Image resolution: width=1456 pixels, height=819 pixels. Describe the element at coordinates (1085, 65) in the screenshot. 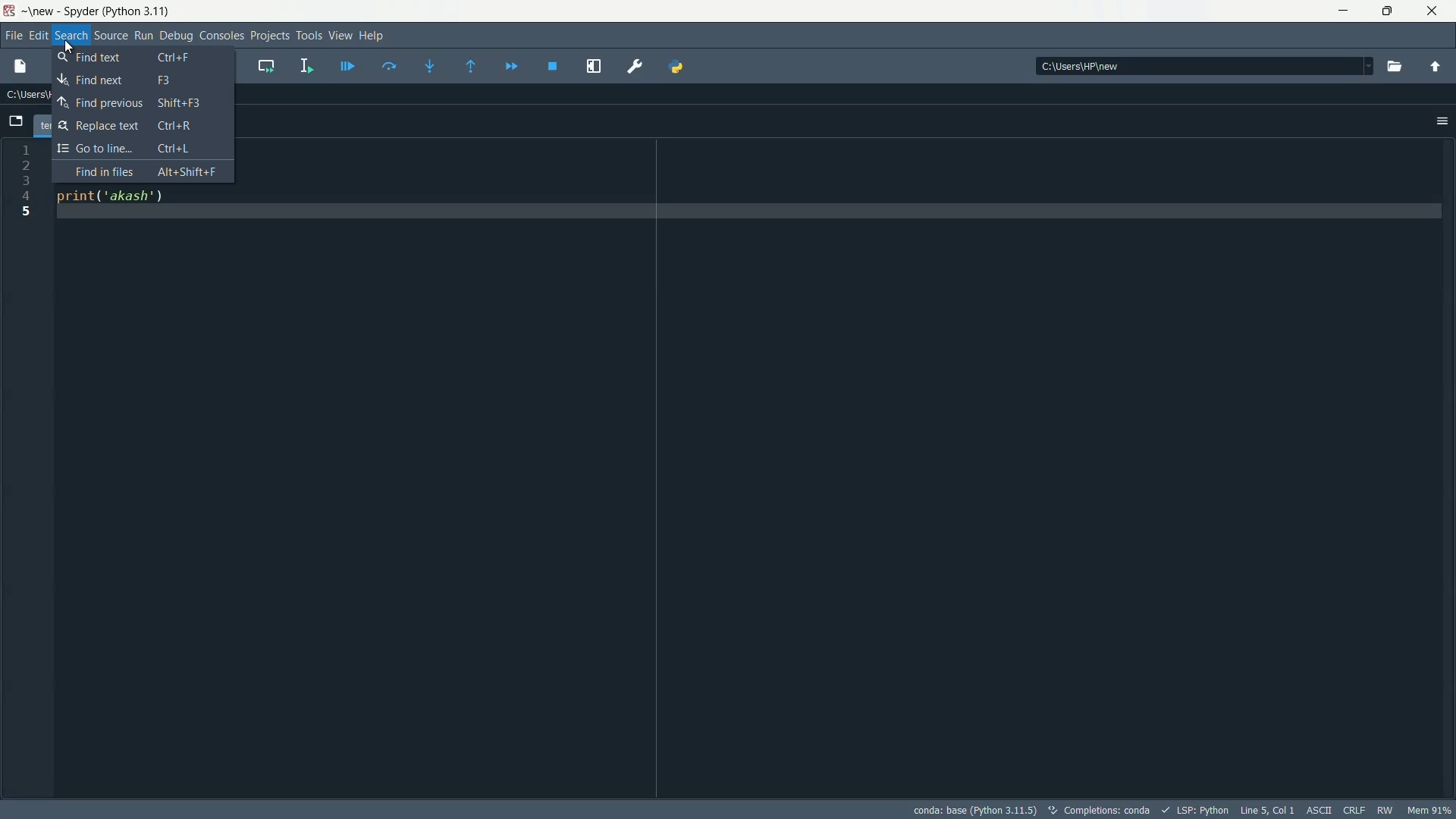

I see `directory` at that location.